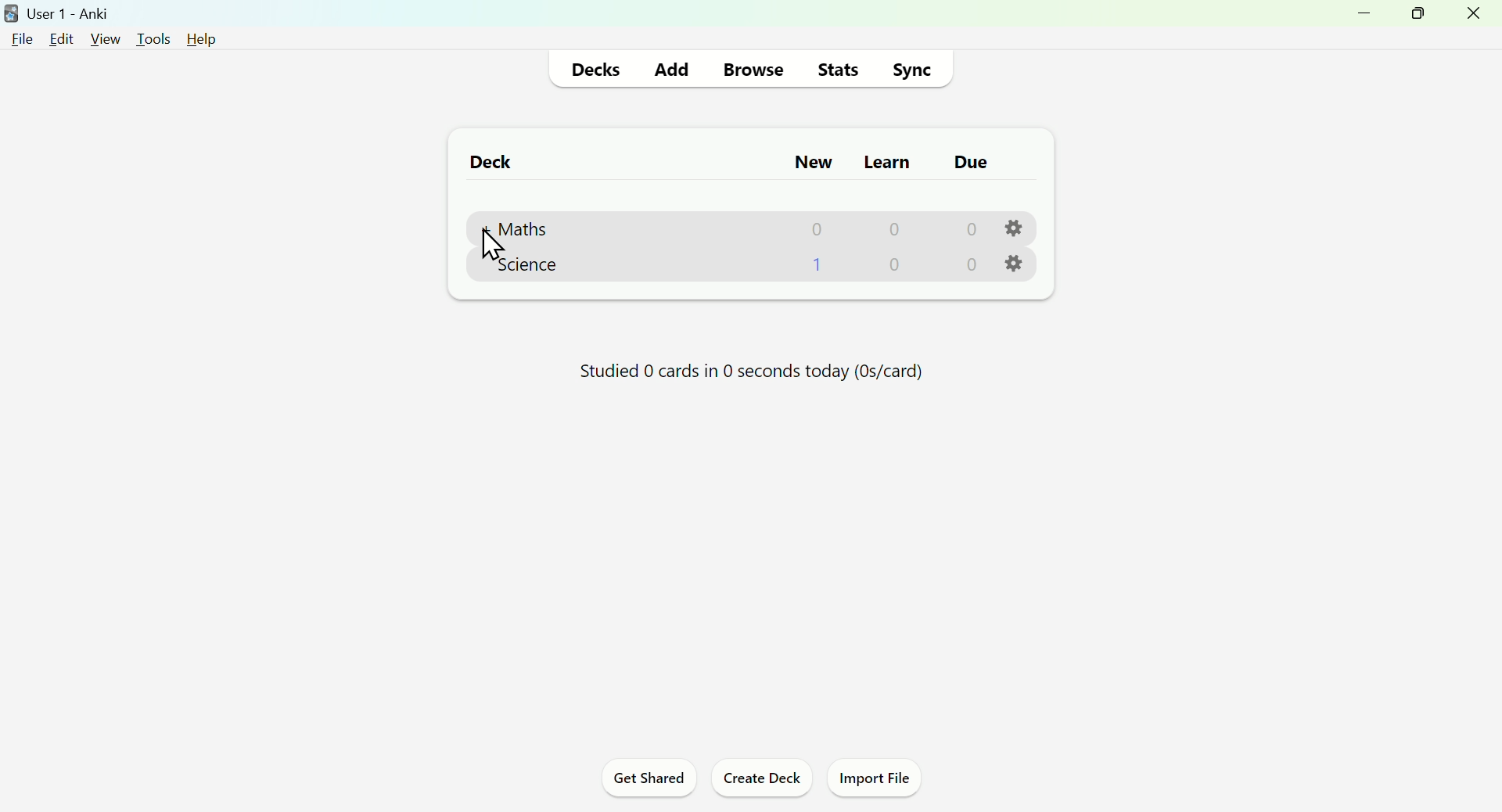 This screenshot has height=812, width=1502. Describe the element at coordinates (811, 161) in the screenshot. I see `New` at that location.